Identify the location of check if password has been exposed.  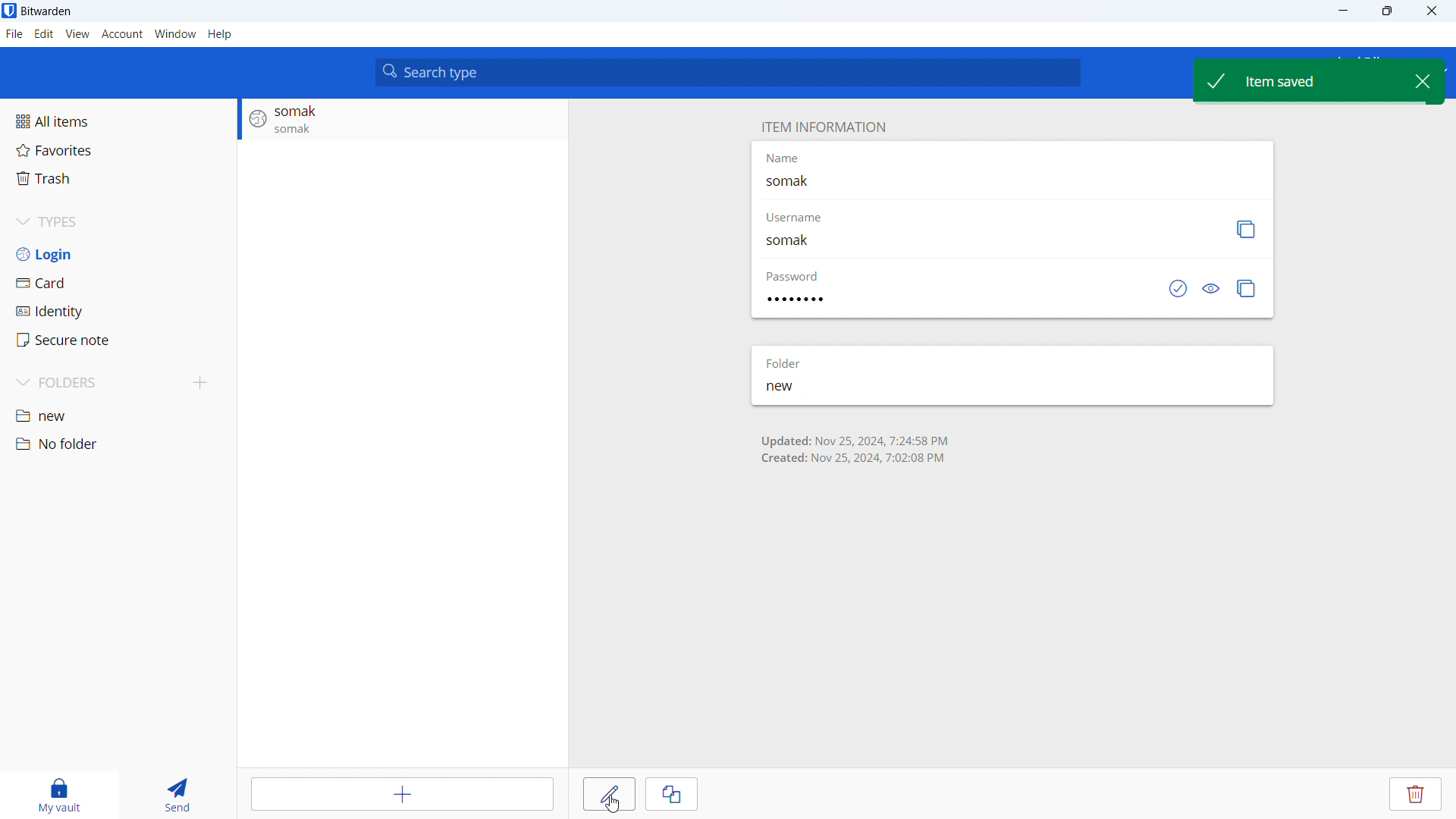
(1178, 288).